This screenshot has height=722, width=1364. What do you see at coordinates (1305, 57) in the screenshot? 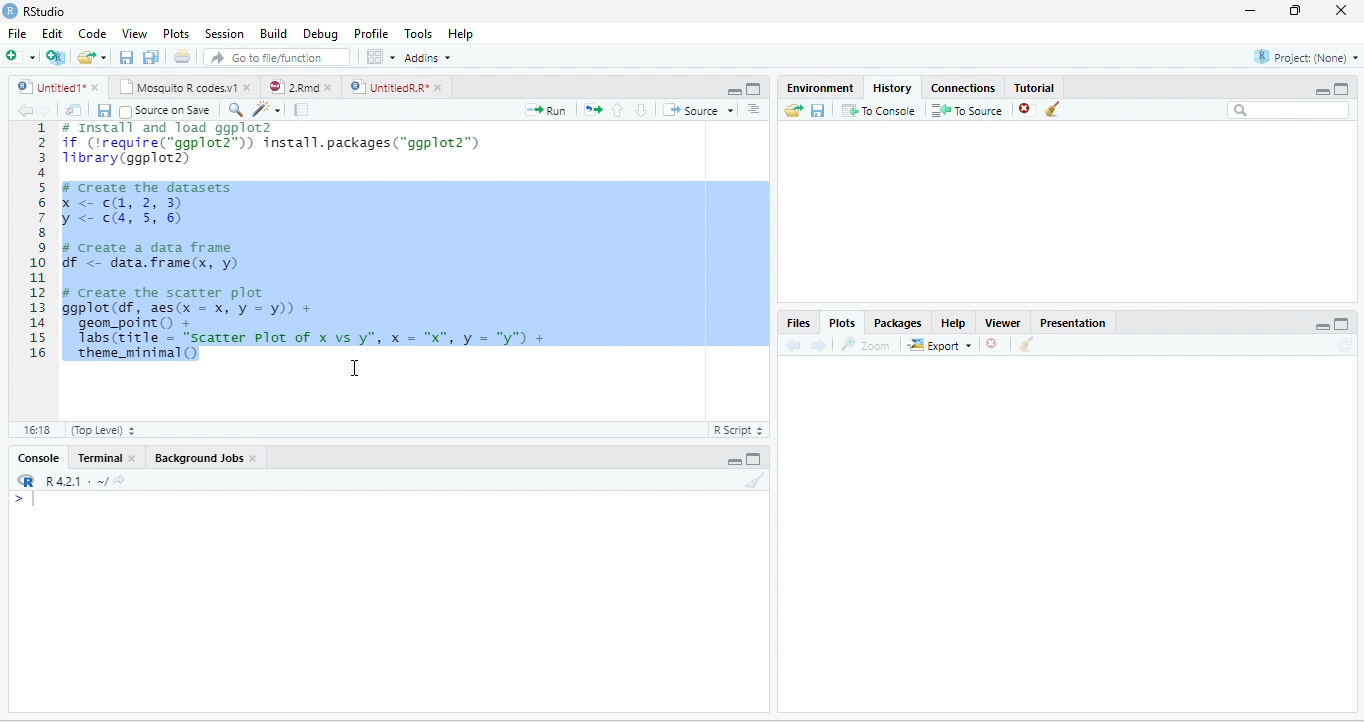
I see `Project: (None)` at bounding box center [1305, 57].